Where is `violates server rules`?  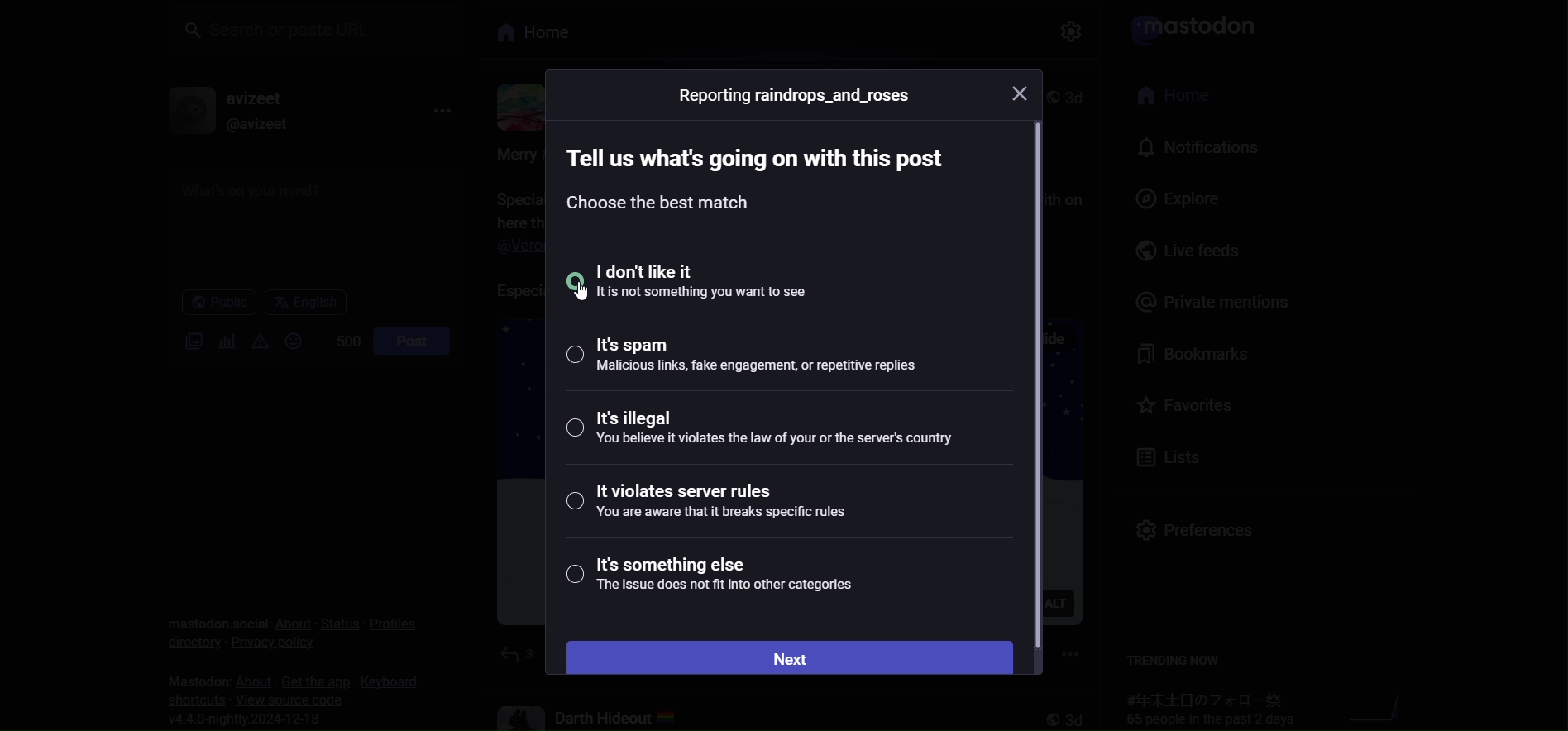 violates server rules is located at coordinates (712, 501).